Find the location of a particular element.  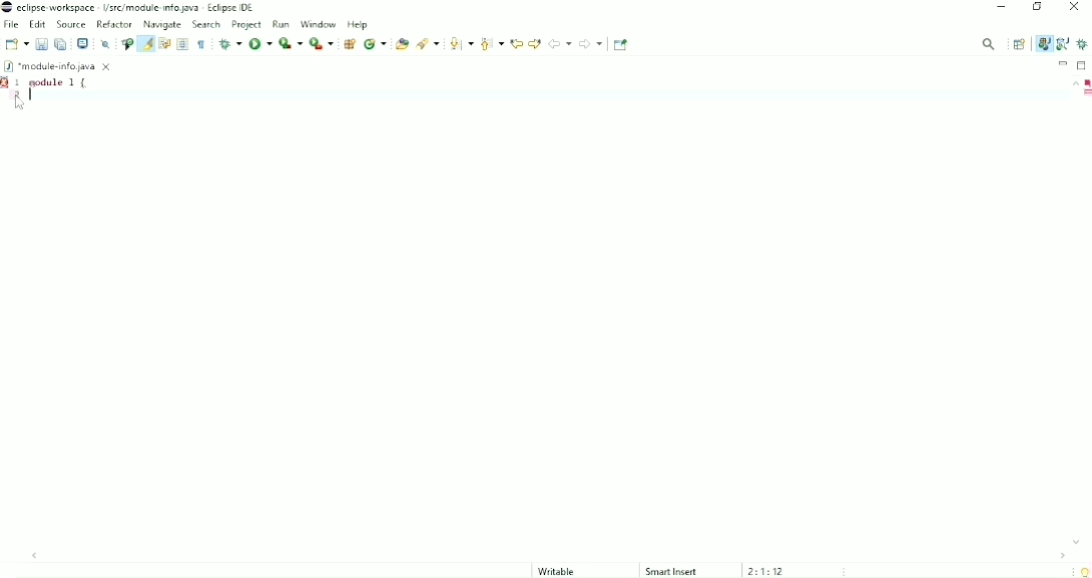

Next annotation is located at coordinates (460, 44).